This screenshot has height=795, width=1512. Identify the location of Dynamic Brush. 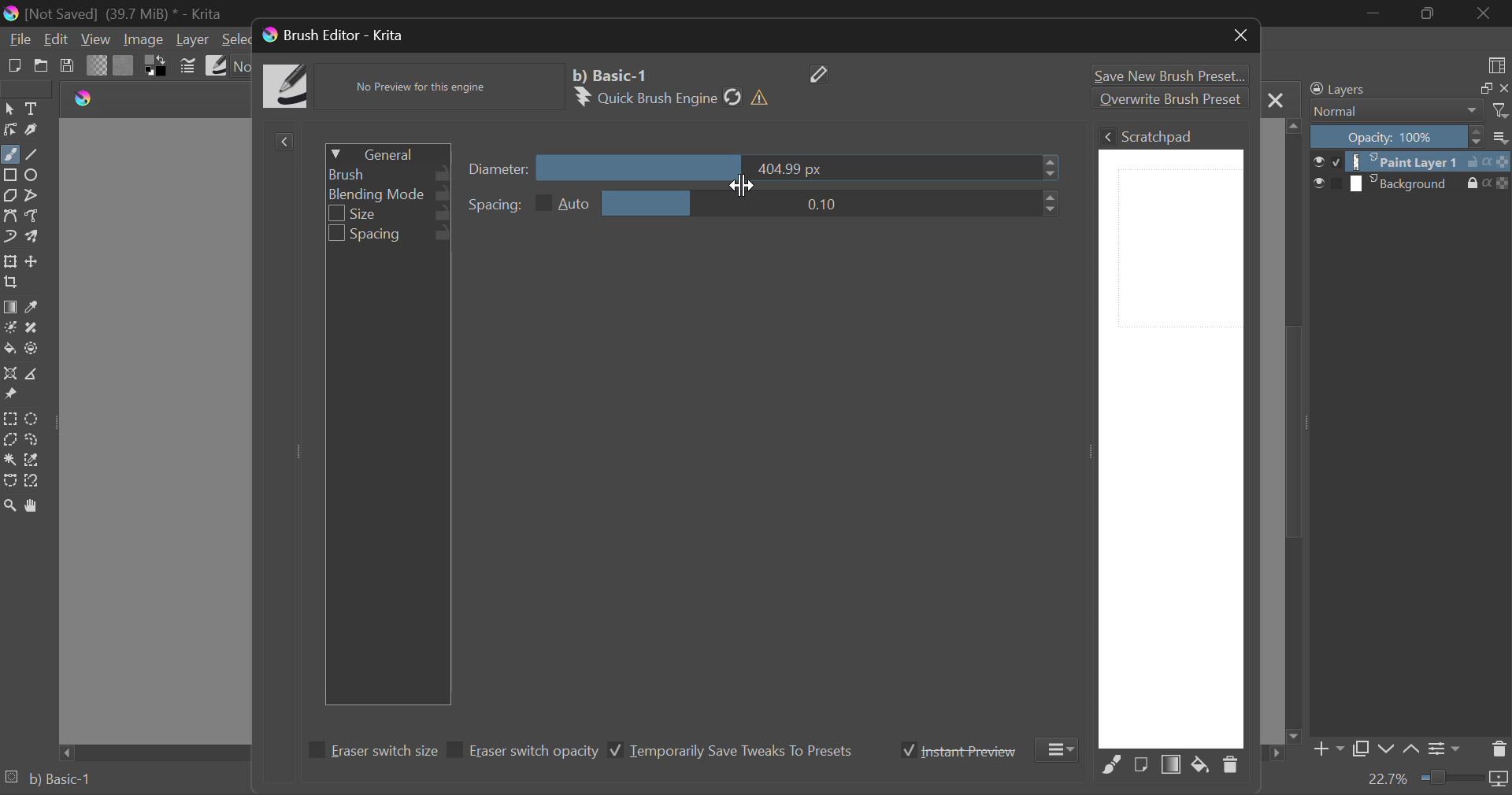
(9, 237).